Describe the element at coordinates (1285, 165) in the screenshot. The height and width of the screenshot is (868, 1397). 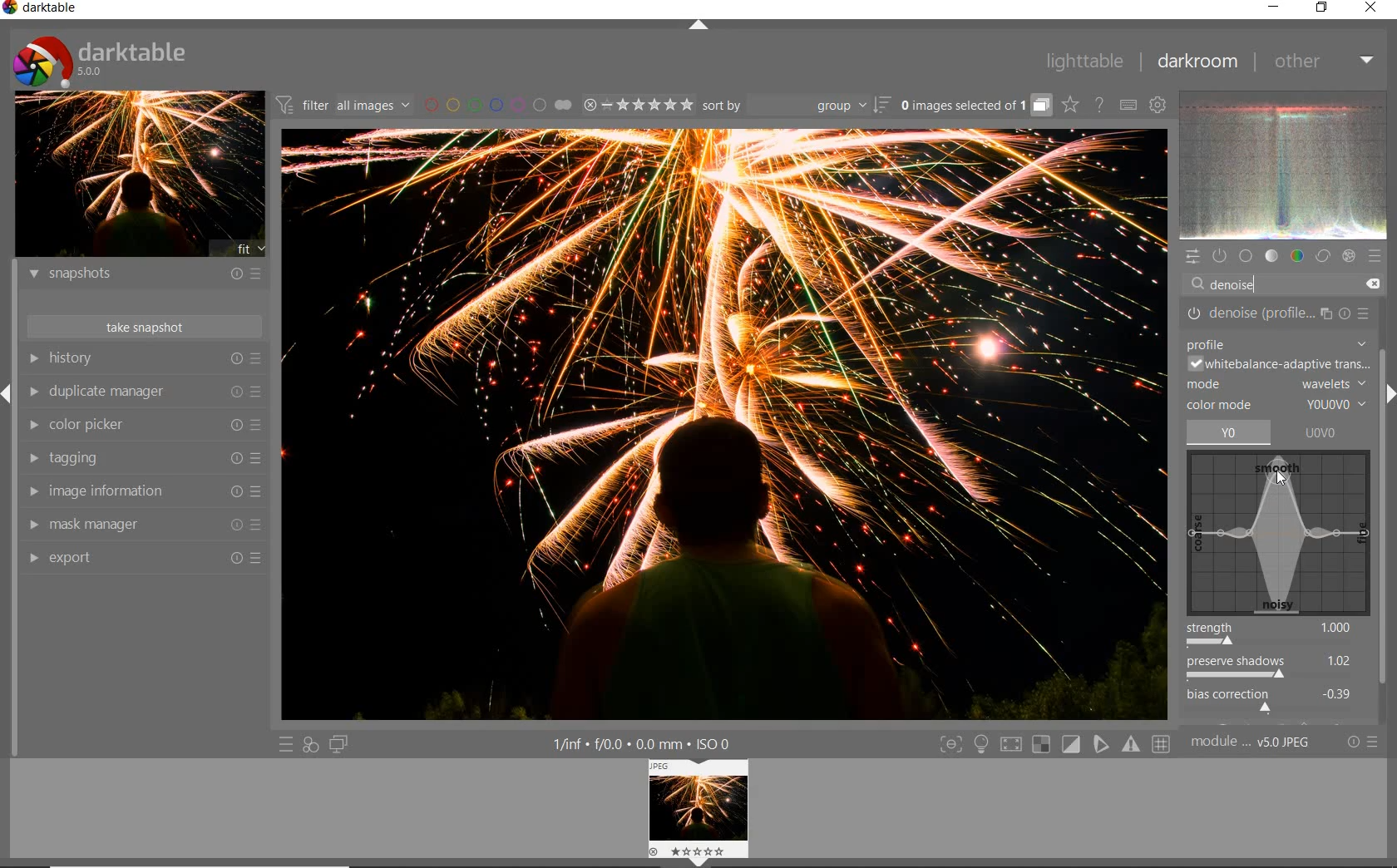
I see `waveform` at that location.